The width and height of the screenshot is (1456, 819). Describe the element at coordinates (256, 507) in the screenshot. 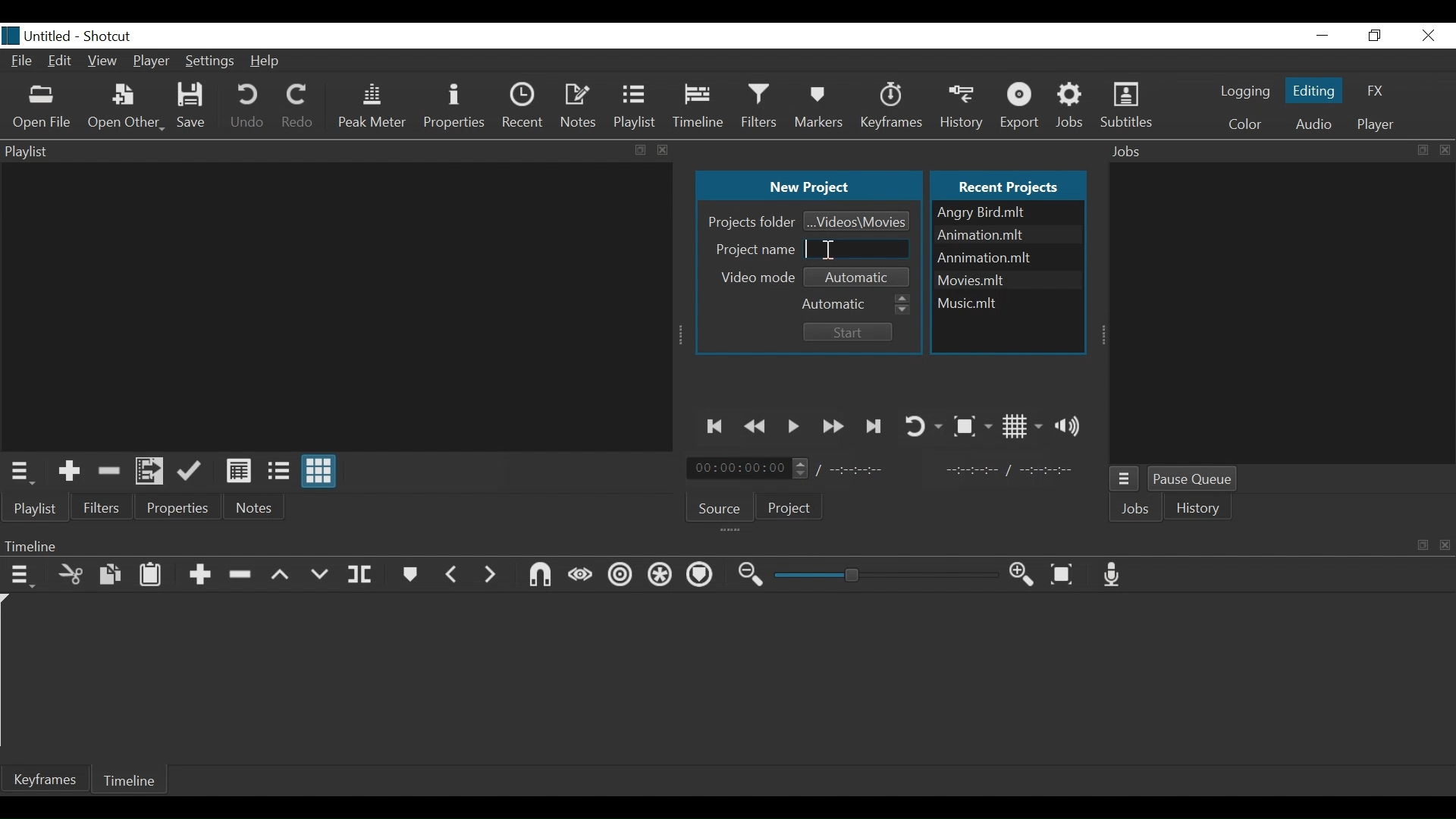

I see `Notes` at that location.